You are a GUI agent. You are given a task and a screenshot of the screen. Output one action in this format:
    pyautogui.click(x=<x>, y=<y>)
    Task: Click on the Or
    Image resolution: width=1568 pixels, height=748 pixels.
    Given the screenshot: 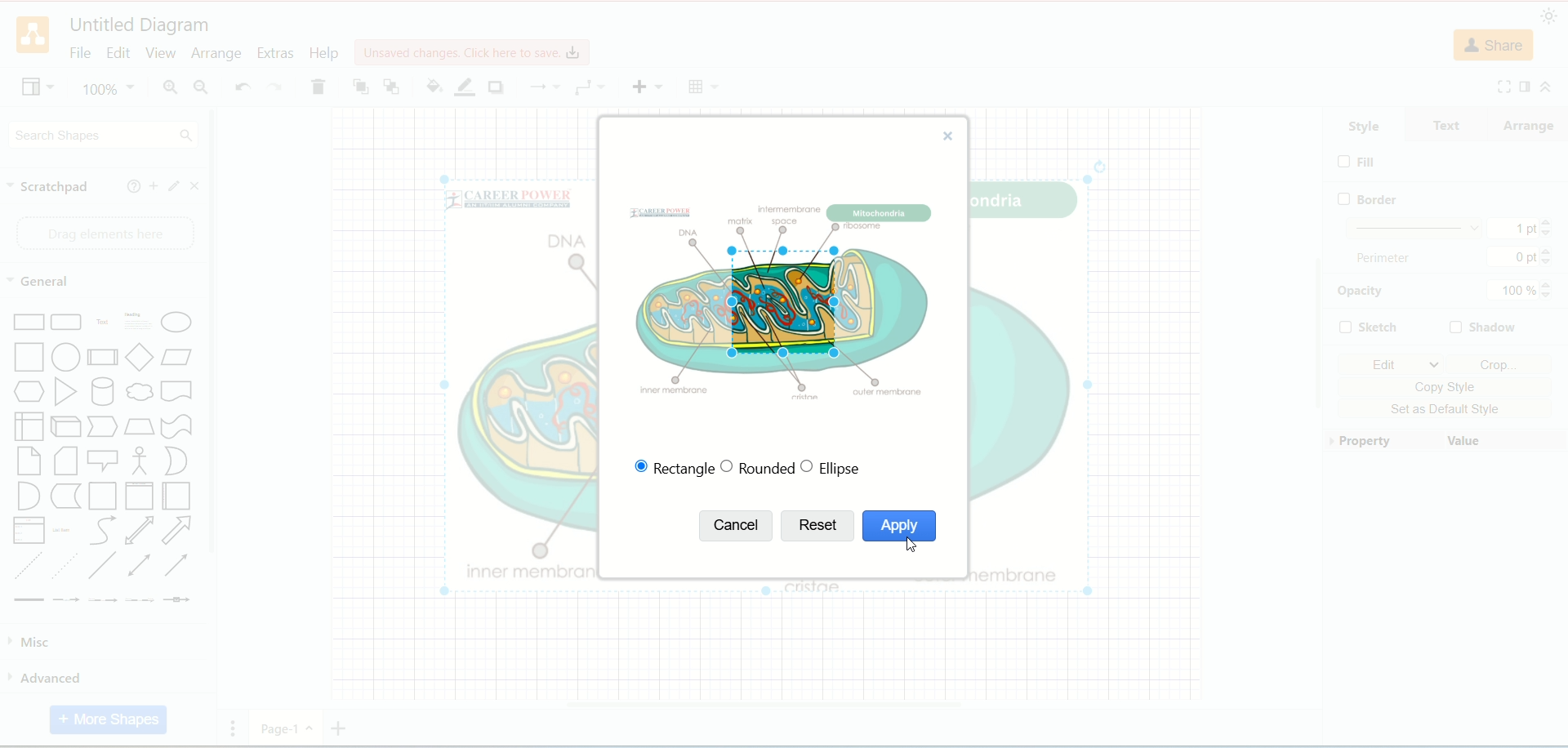 What is the action you would take?
    pyautogui.click(x=178, y=461)
    